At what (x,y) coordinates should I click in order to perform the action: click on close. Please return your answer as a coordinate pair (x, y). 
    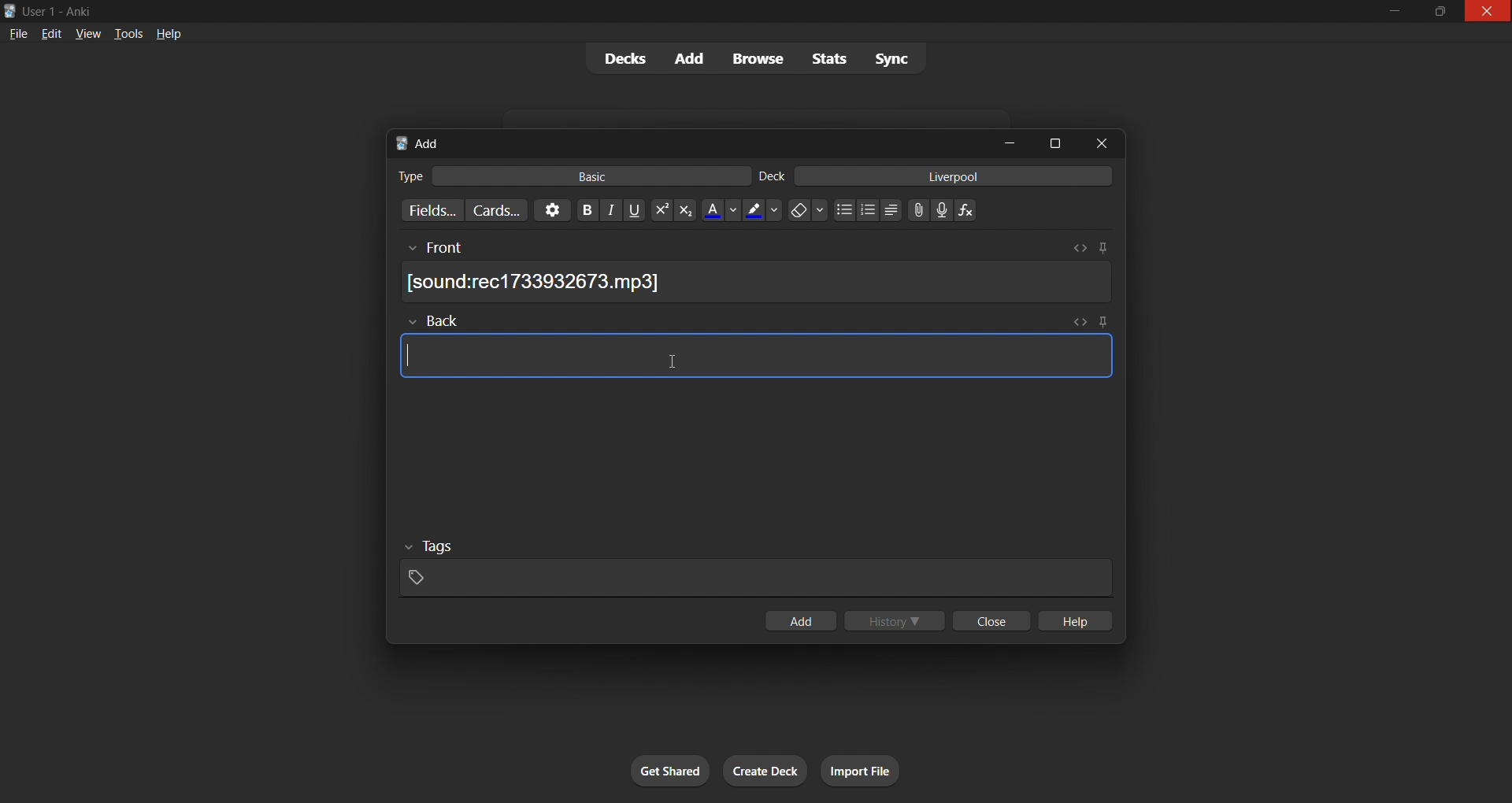
    Looking at the image, I should click on (992, 621).